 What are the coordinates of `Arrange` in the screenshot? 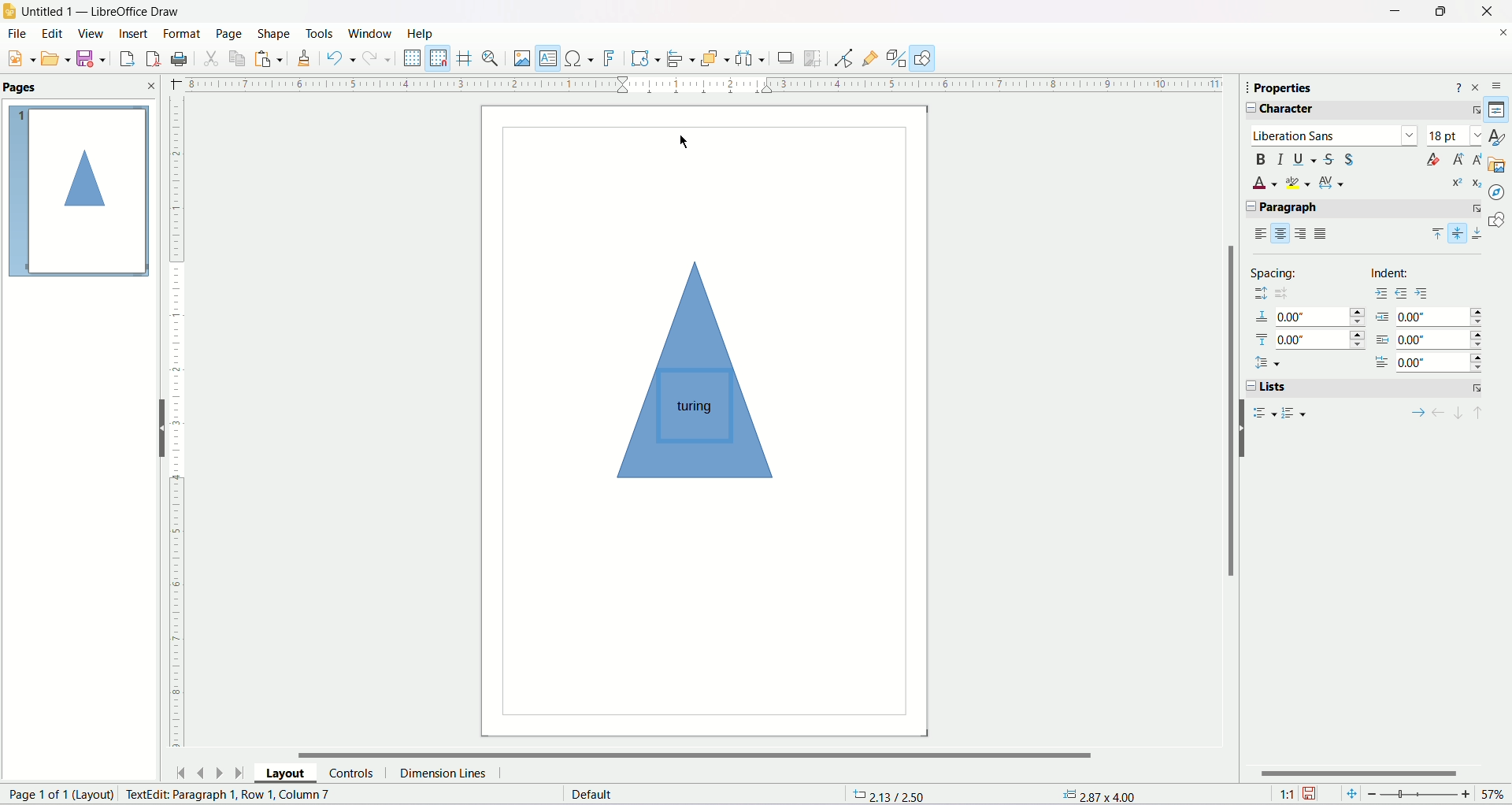 It's located at (715, 58).